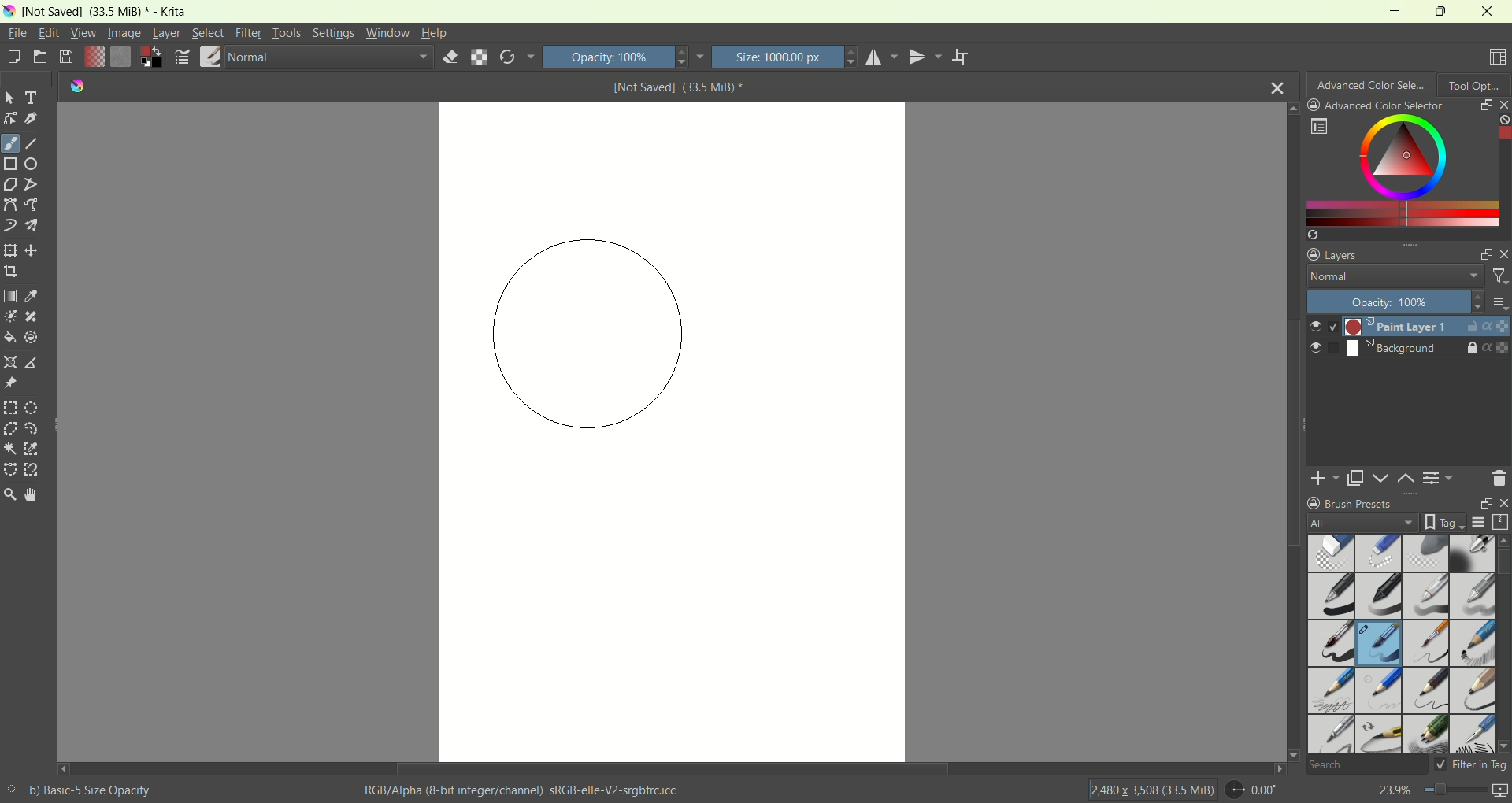  I want to click on 12,480 x 3,508 (33.5 MiB), so click(1151, 789).